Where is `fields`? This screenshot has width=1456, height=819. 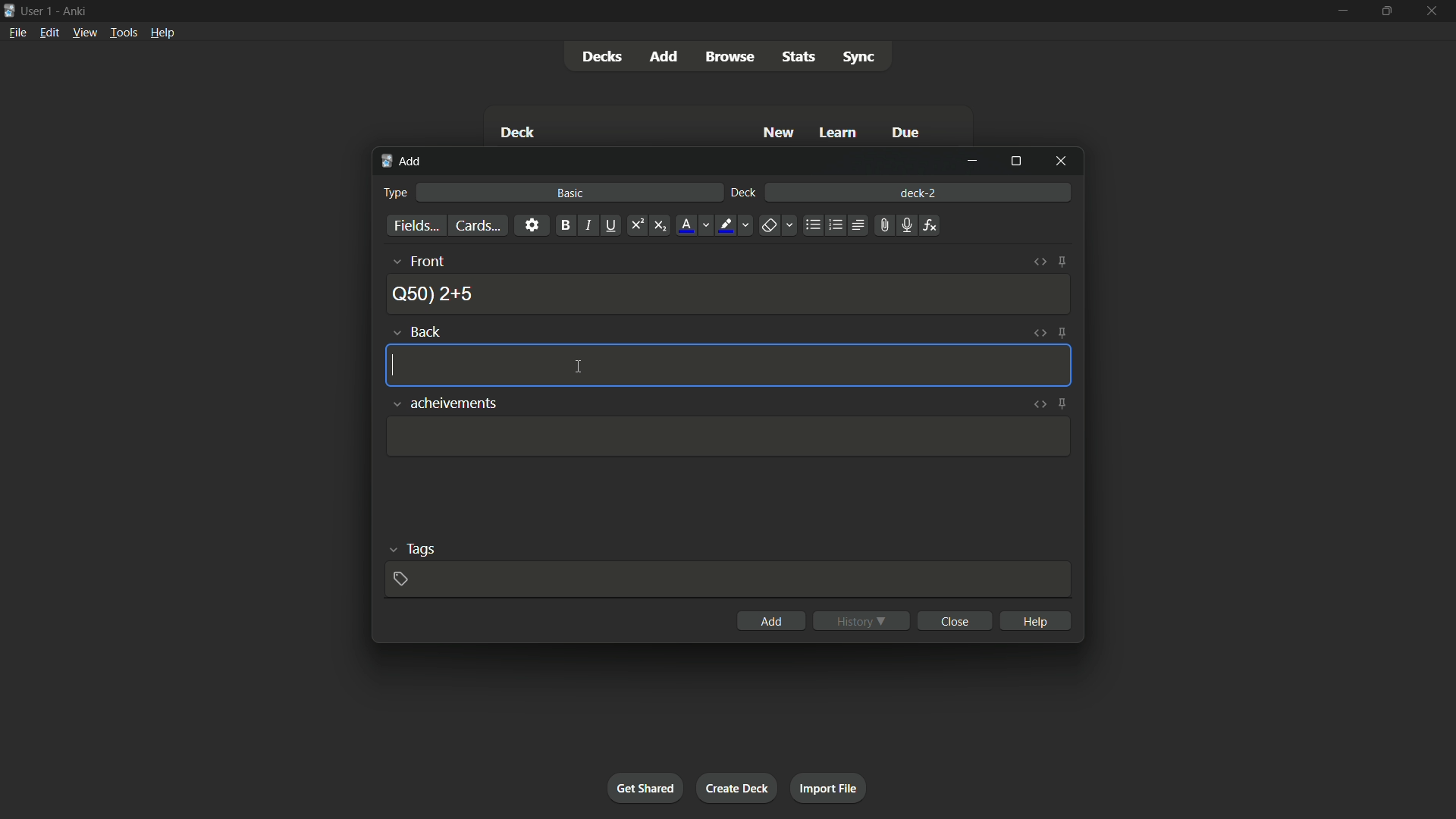 fields is located at coordinates (415, 226).